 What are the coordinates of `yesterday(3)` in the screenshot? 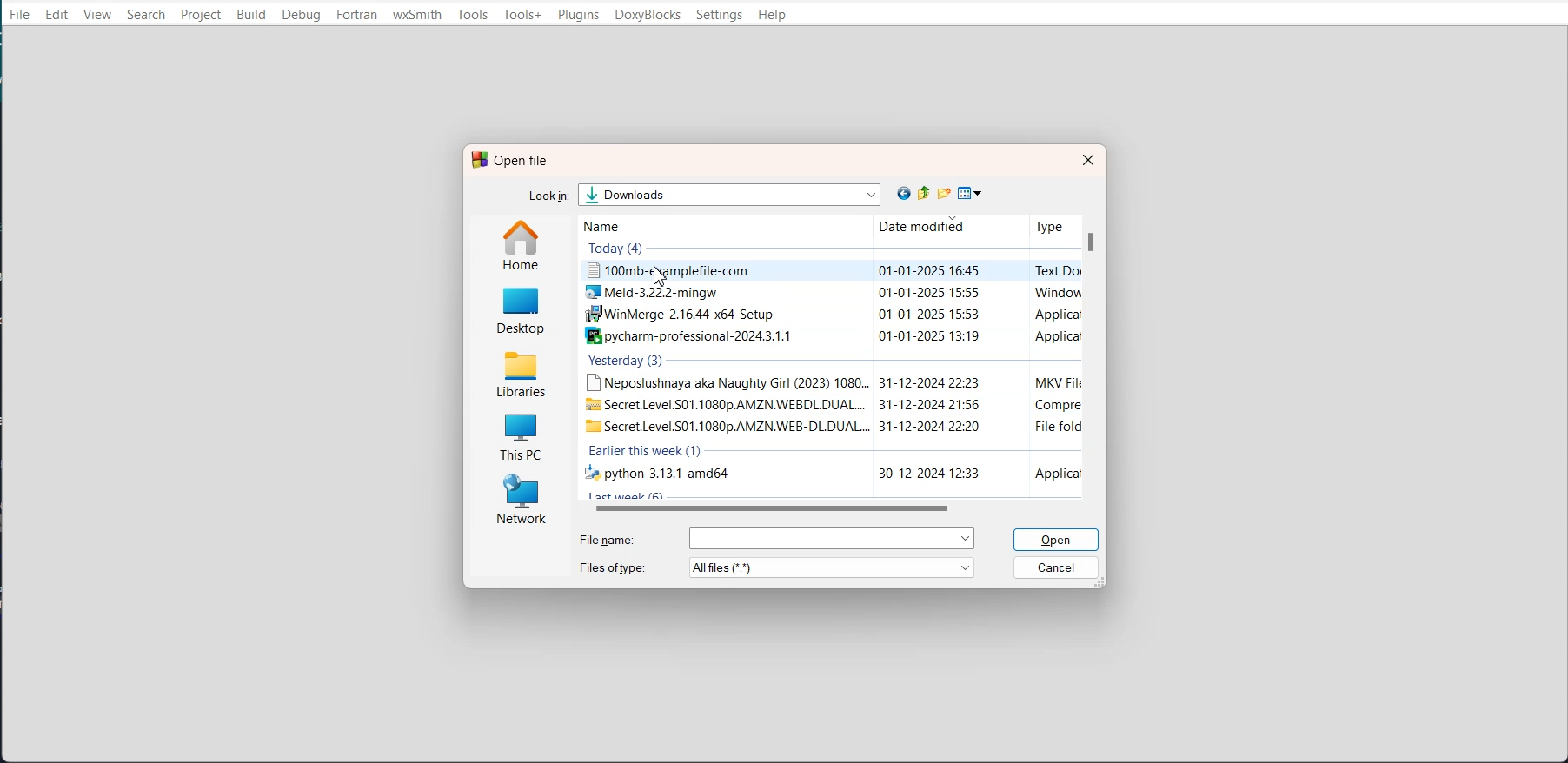 It's located at (628, 362).